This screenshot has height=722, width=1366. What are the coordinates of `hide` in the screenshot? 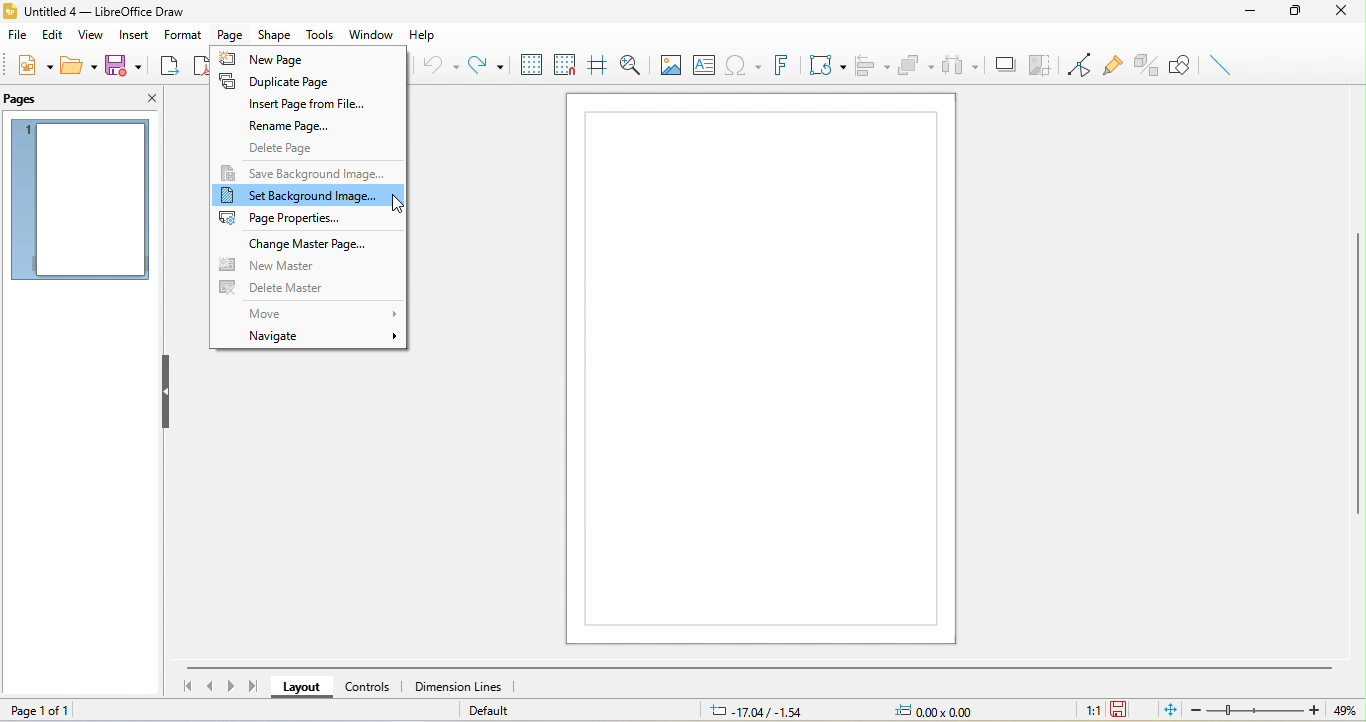 It's located at (164, 392).